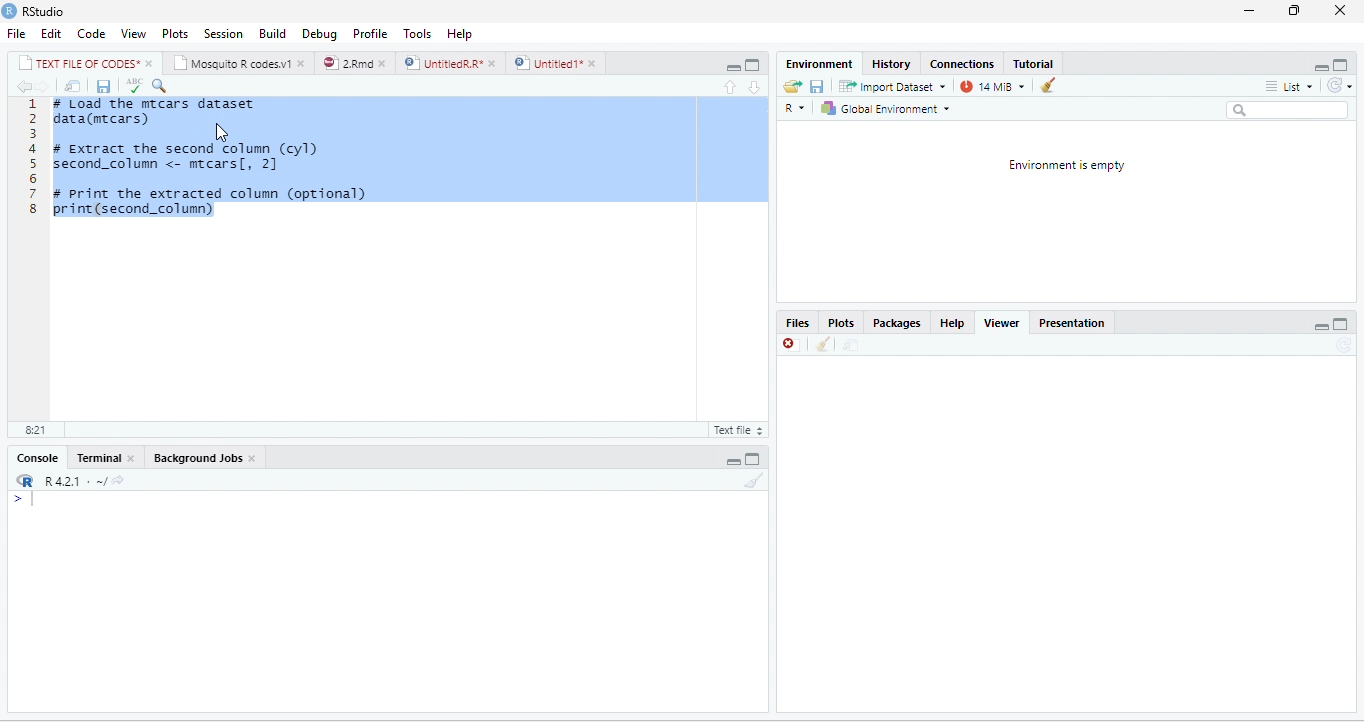 The width and height of the screenshot is (1364, 722). I want to click on refresh, so click(1343, 86).